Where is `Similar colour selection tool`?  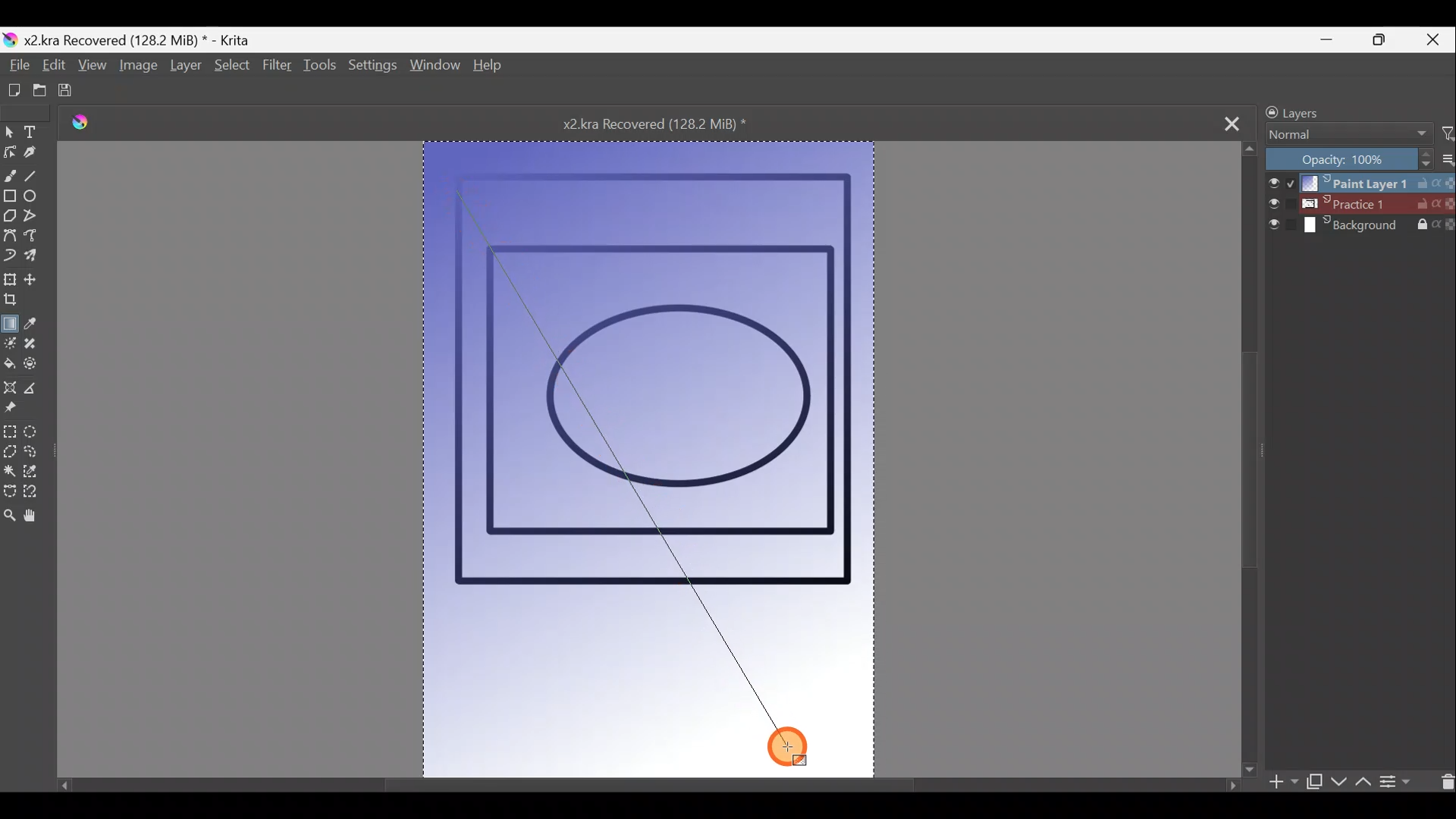
Similar colour selection tool is located at coordinates (34, 475).